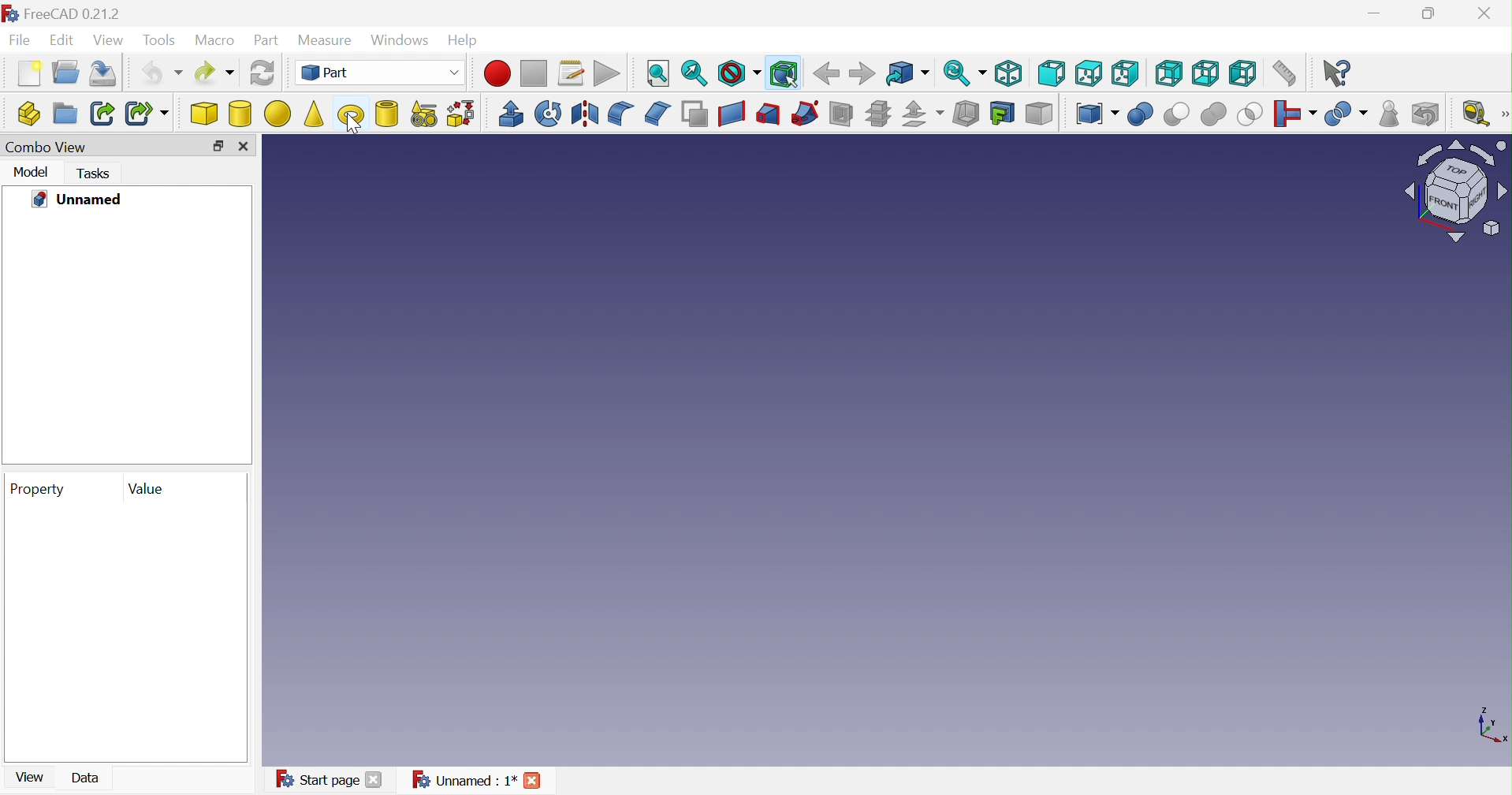 Image resolution: width=1512 pixels, height=795 pixels. Describe the element at coordinates (1503, 114) in the screenshot. I see `[Measure]` at that location.